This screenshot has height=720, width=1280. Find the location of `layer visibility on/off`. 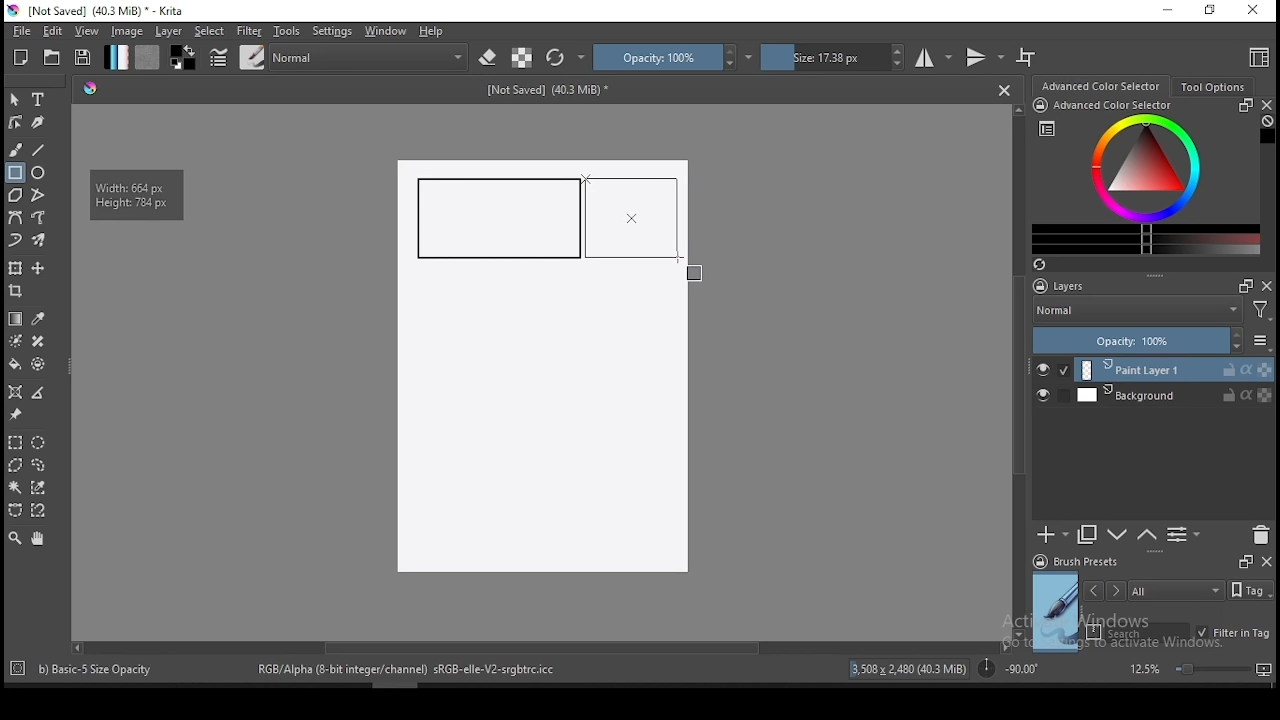

layer visibility on/off is located at coordinates (1053, 370).